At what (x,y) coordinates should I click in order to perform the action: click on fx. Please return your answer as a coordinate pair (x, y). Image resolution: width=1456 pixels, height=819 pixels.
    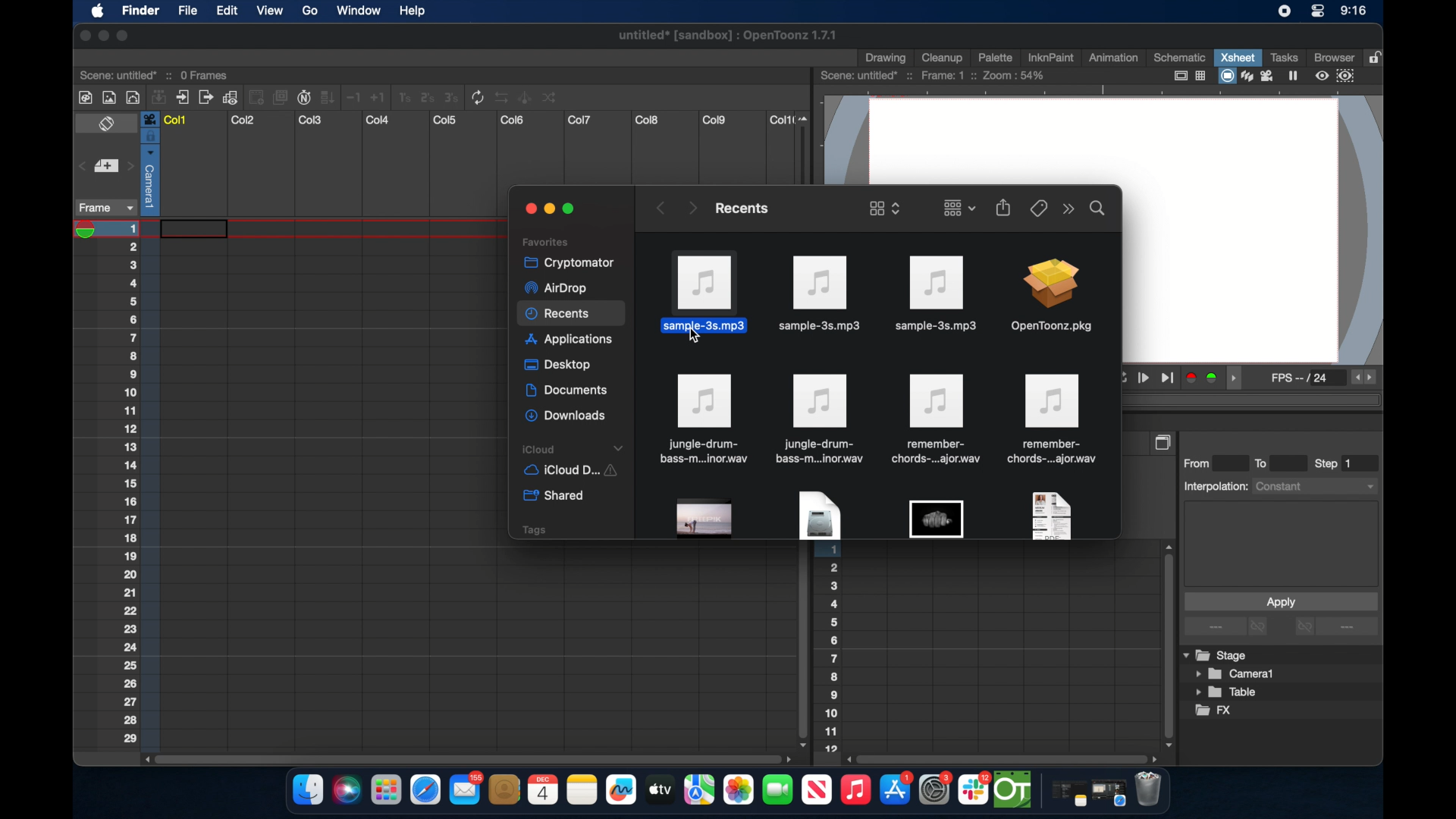
    Looking at the image, I should click on (1214, 711).